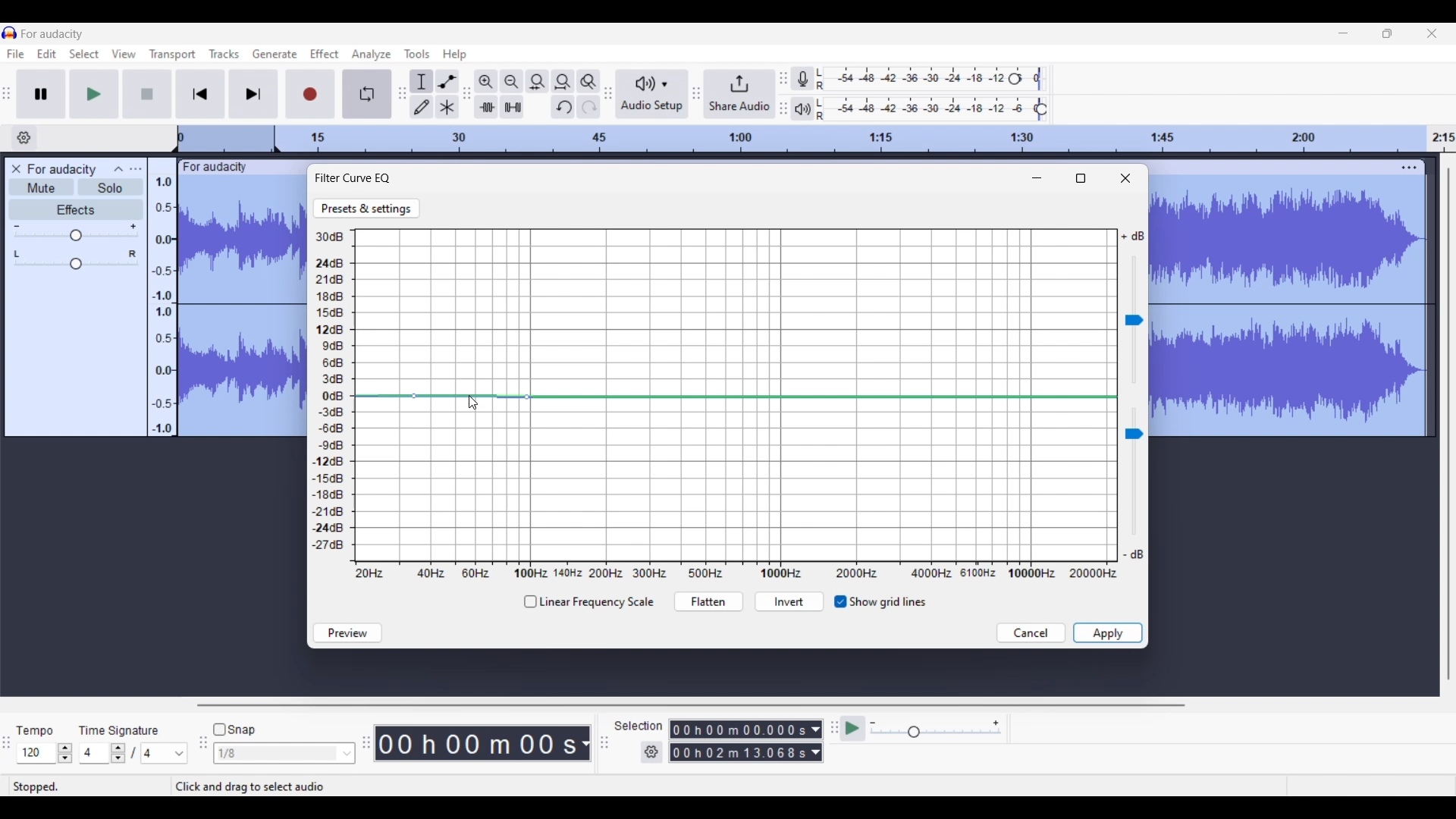  What do you see at coordinates (65, 753) in the screenshot?
I see `Increase/Decrease tempo` at bounding box center [65, 753].